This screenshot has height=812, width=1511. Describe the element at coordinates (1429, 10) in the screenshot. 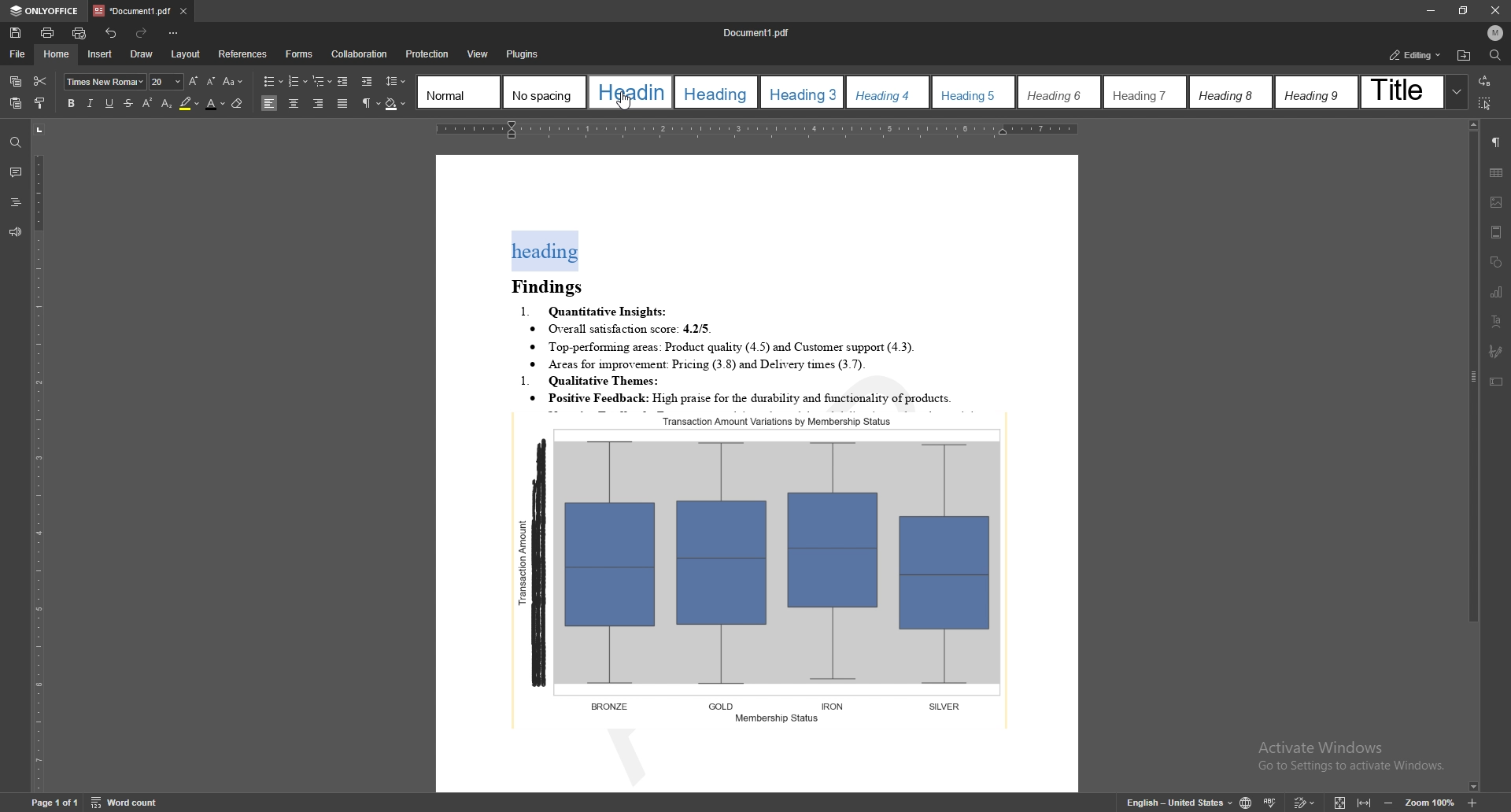

I see `minimize` at that location.